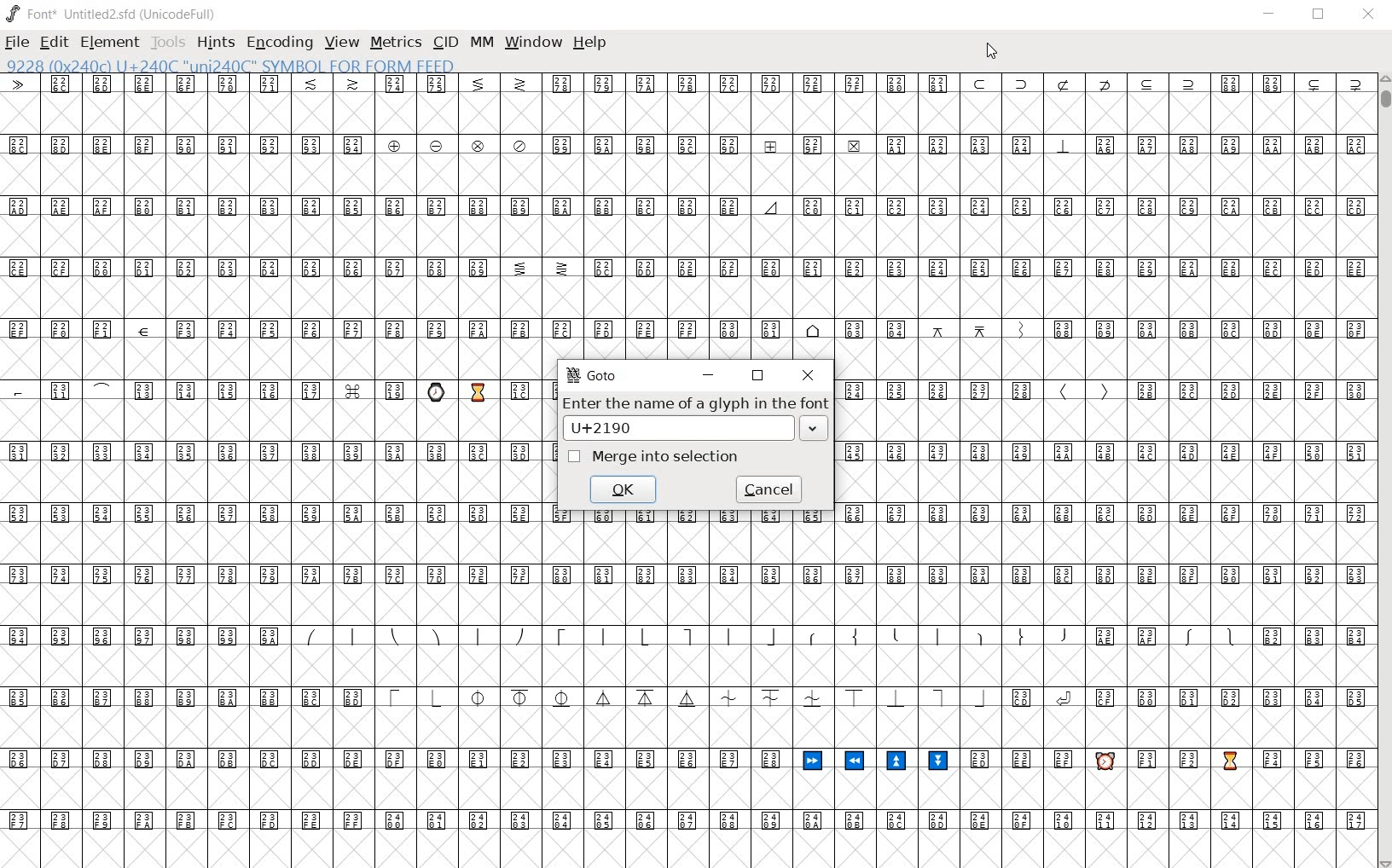 This screenshot has width=1392, height=868. Describe the element at coordinates (444, 43) in the screenshot. I see `cid` at that location.